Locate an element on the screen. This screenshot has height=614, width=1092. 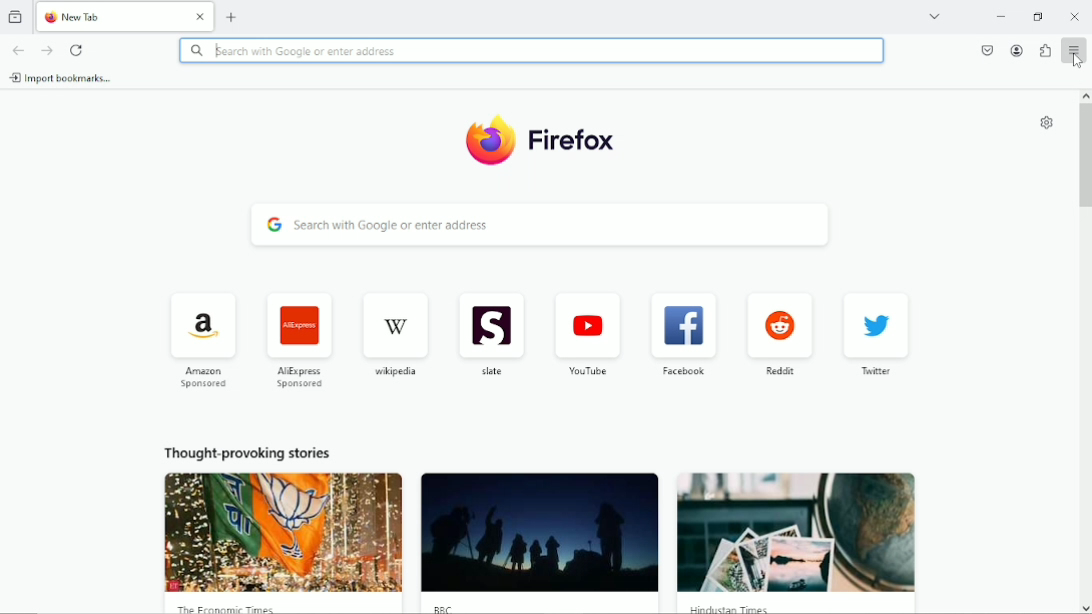
Thought provoking stories is located at coordinates (247, 452).